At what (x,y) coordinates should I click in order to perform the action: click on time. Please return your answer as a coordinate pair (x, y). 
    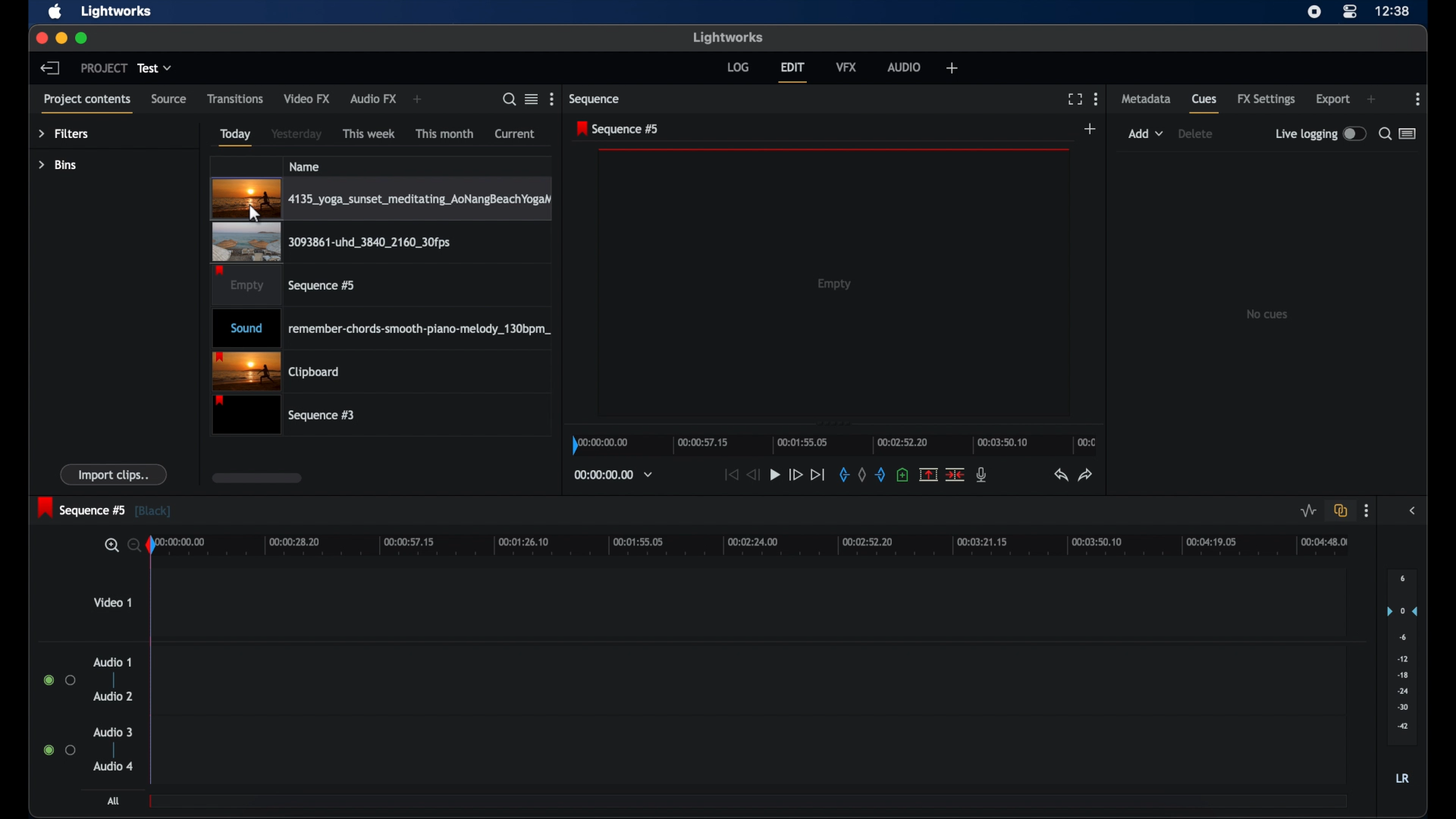
    Looking at the image, I should click on (1394, 11).